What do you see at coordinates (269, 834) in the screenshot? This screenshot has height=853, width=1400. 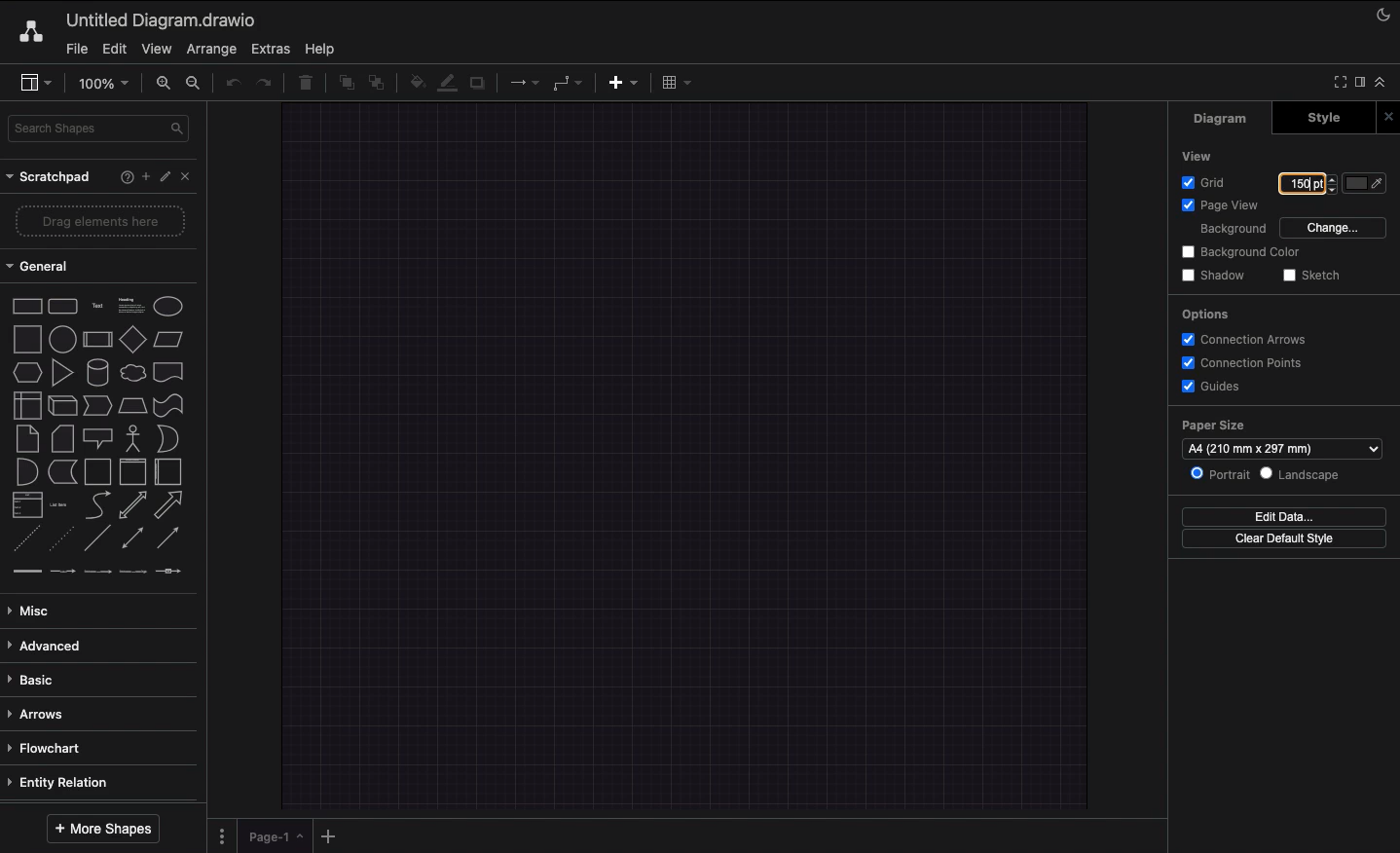 I see `Page 1` at bounding box center [269, 834].